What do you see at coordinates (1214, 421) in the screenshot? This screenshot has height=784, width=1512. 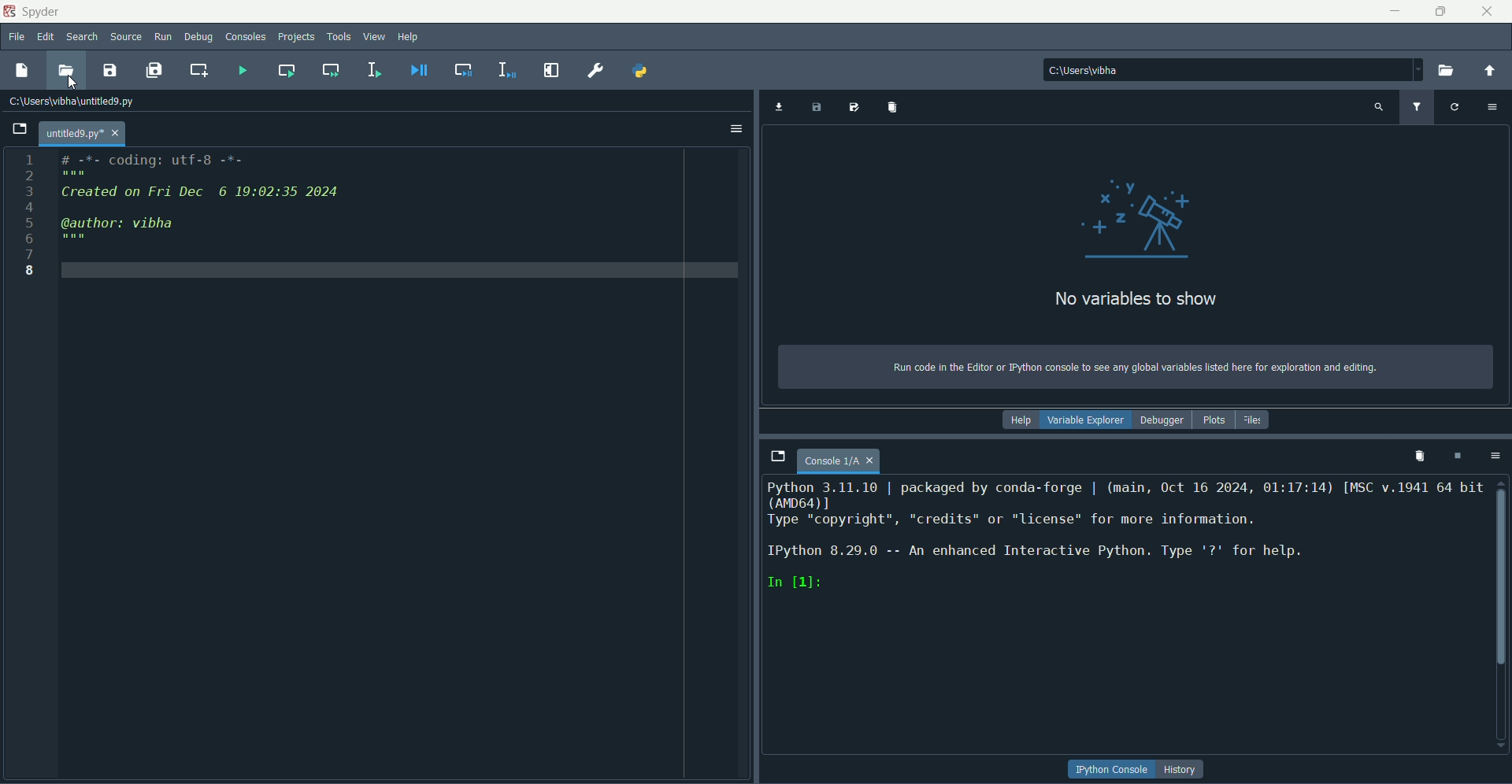 I see `plots` at bounding box center [1214, 421].